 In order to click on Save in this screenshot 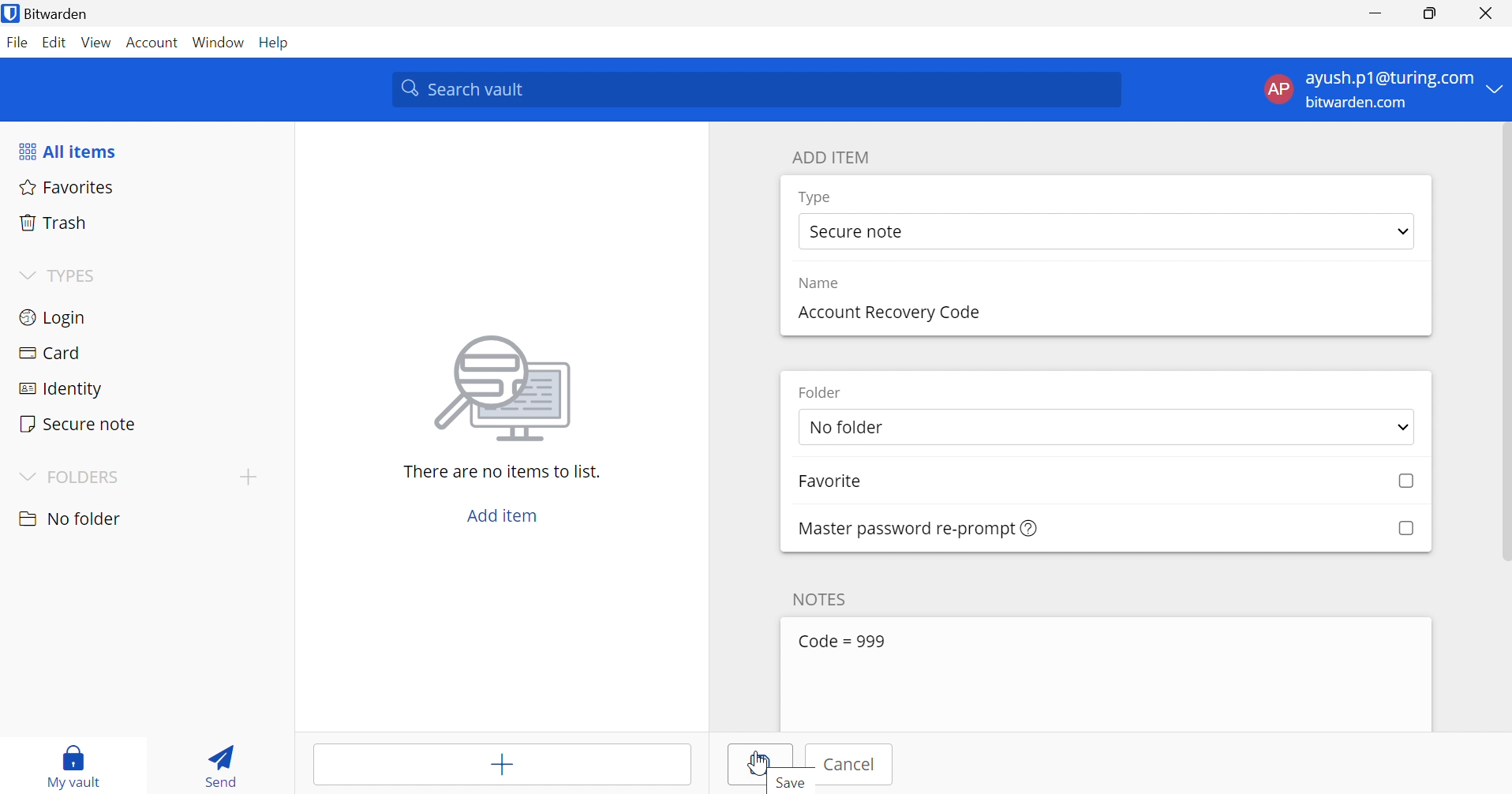, I will do `click(765, 766)`.